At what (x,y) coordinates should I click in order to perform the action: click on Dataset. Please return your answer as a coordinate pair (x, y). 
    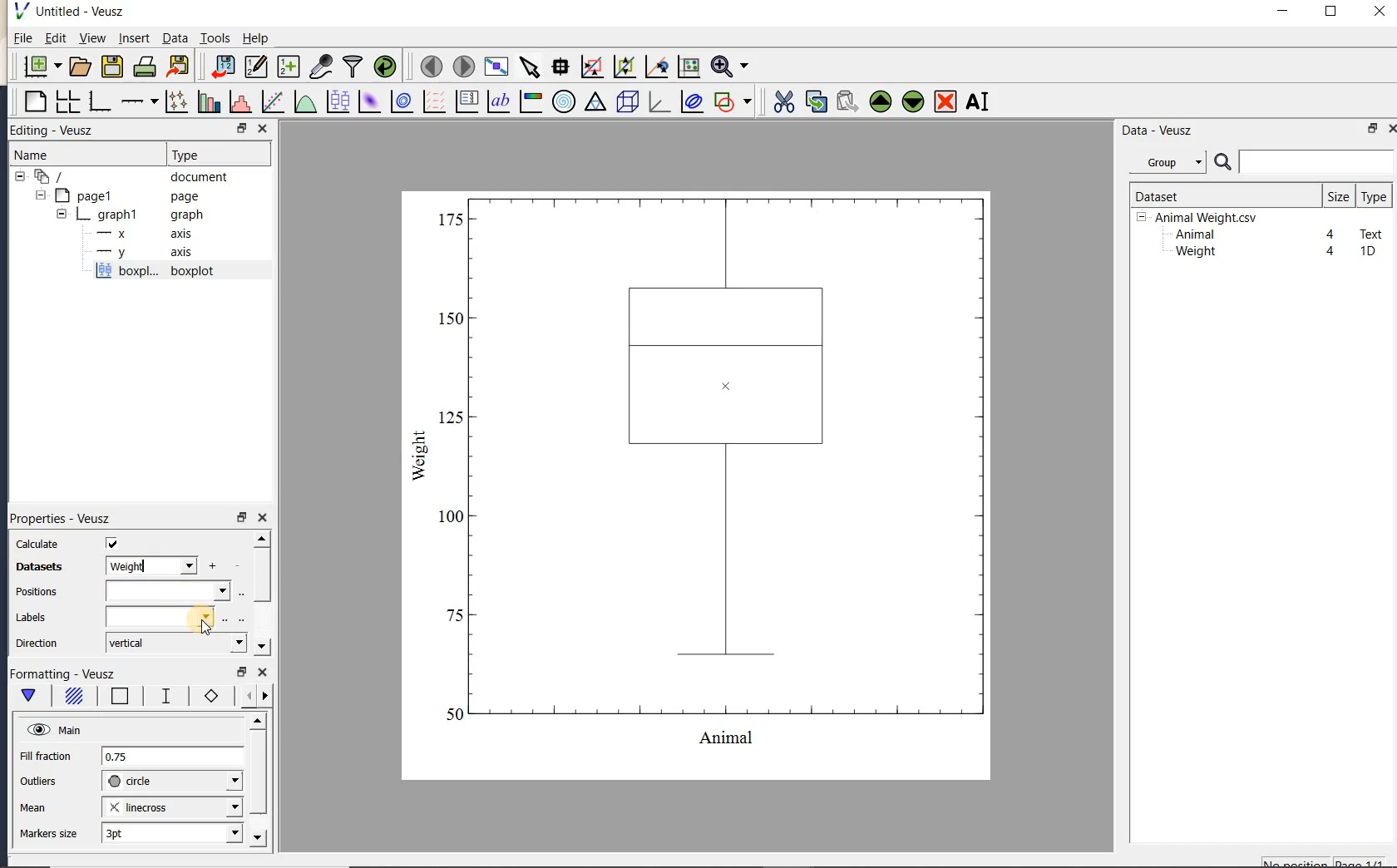
    Looking at the image, I should click on (1218, 195).